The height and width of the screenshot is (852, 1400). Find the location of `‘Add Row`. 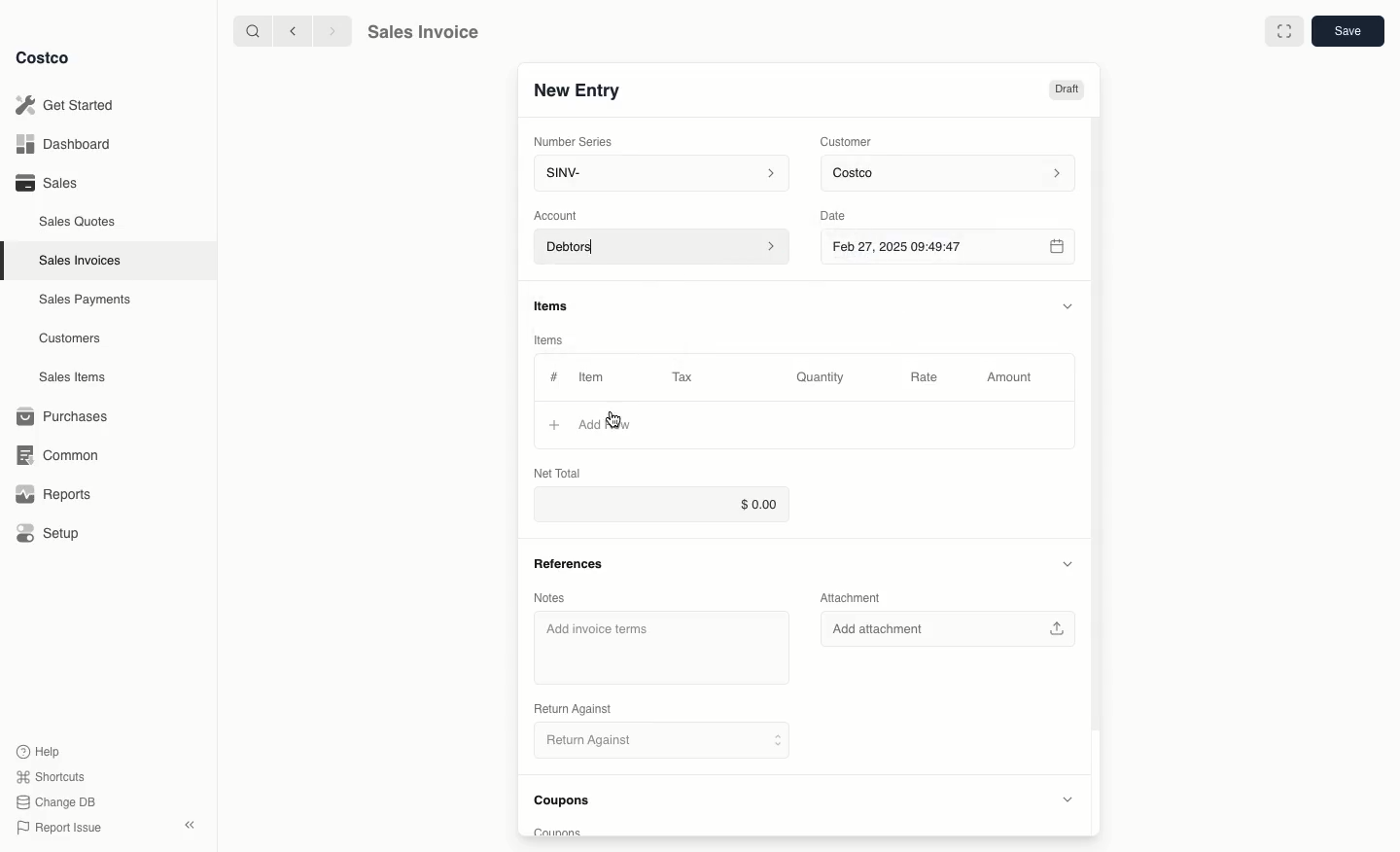

‘Add Row is located at coordinates (608, 424).